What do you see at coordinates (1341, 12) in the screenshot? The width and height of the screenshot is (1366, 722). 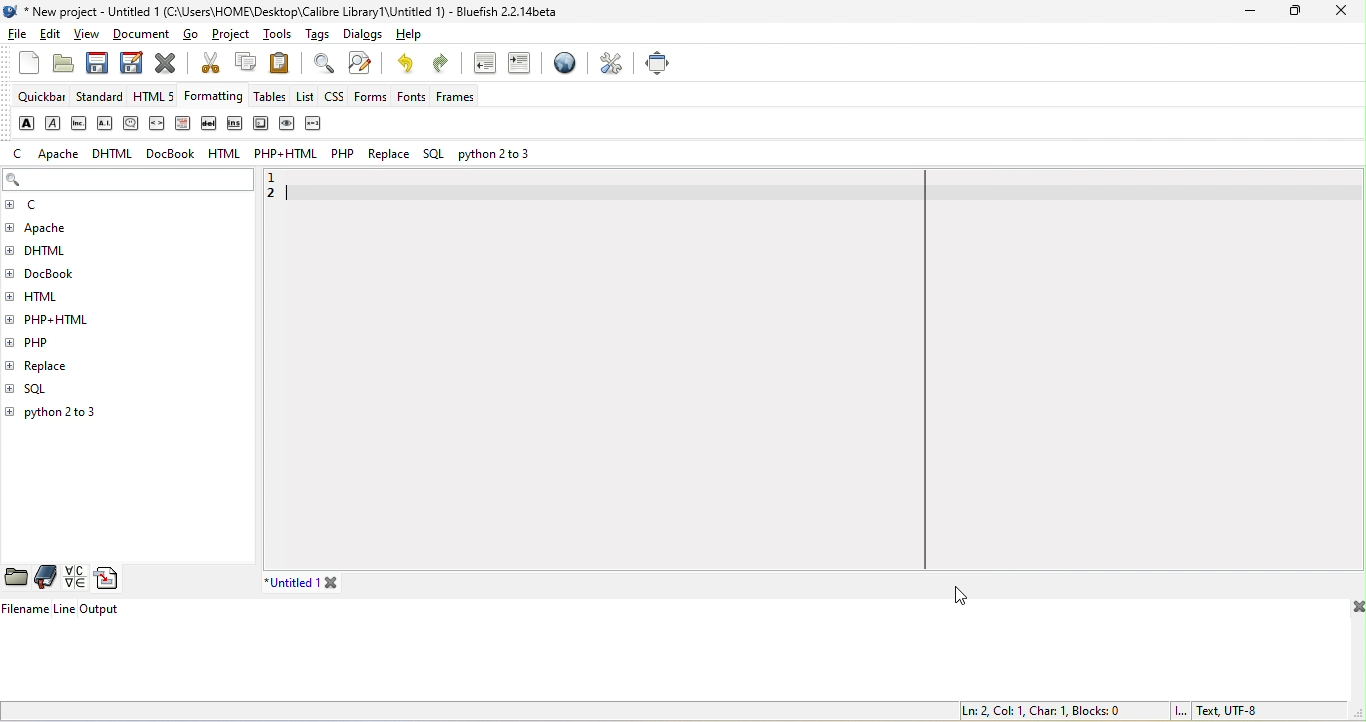 I see `close` at bounding box center [1341, 12].